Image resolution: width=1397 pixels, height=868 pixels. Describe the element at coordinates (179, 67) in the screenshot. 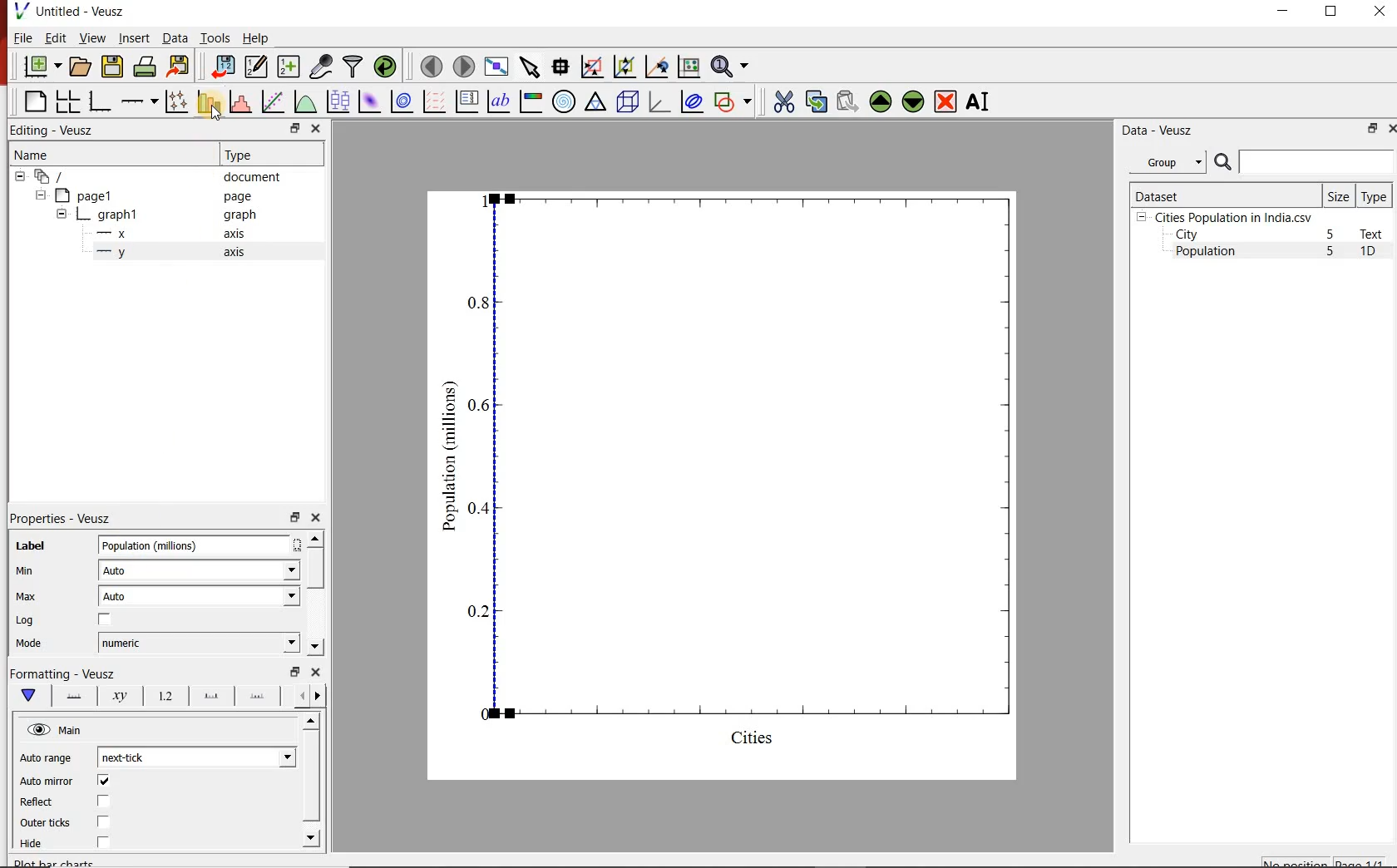

I see `export to graphics format` at that location.